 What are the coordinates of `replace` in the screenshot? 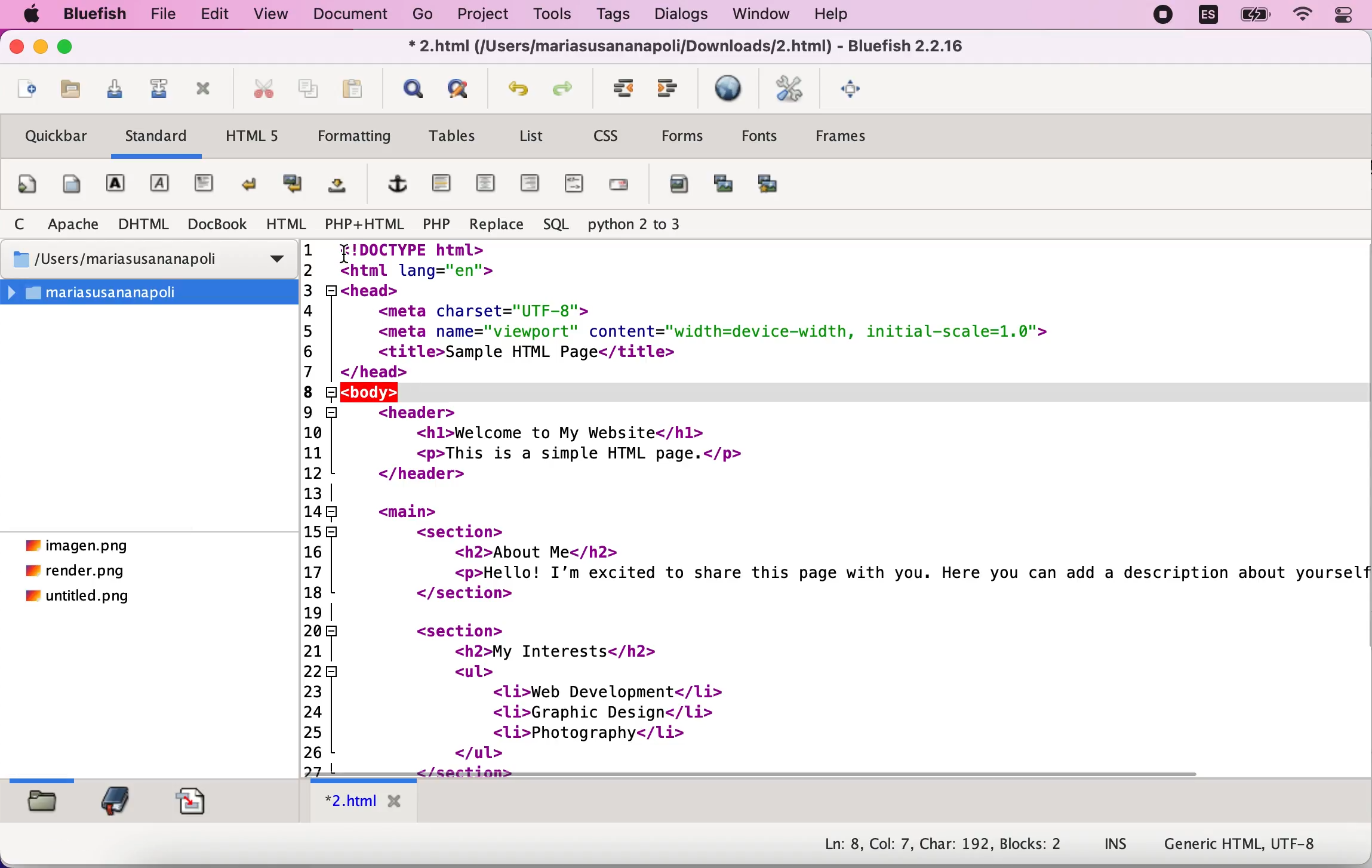 It's located at (494, 224).